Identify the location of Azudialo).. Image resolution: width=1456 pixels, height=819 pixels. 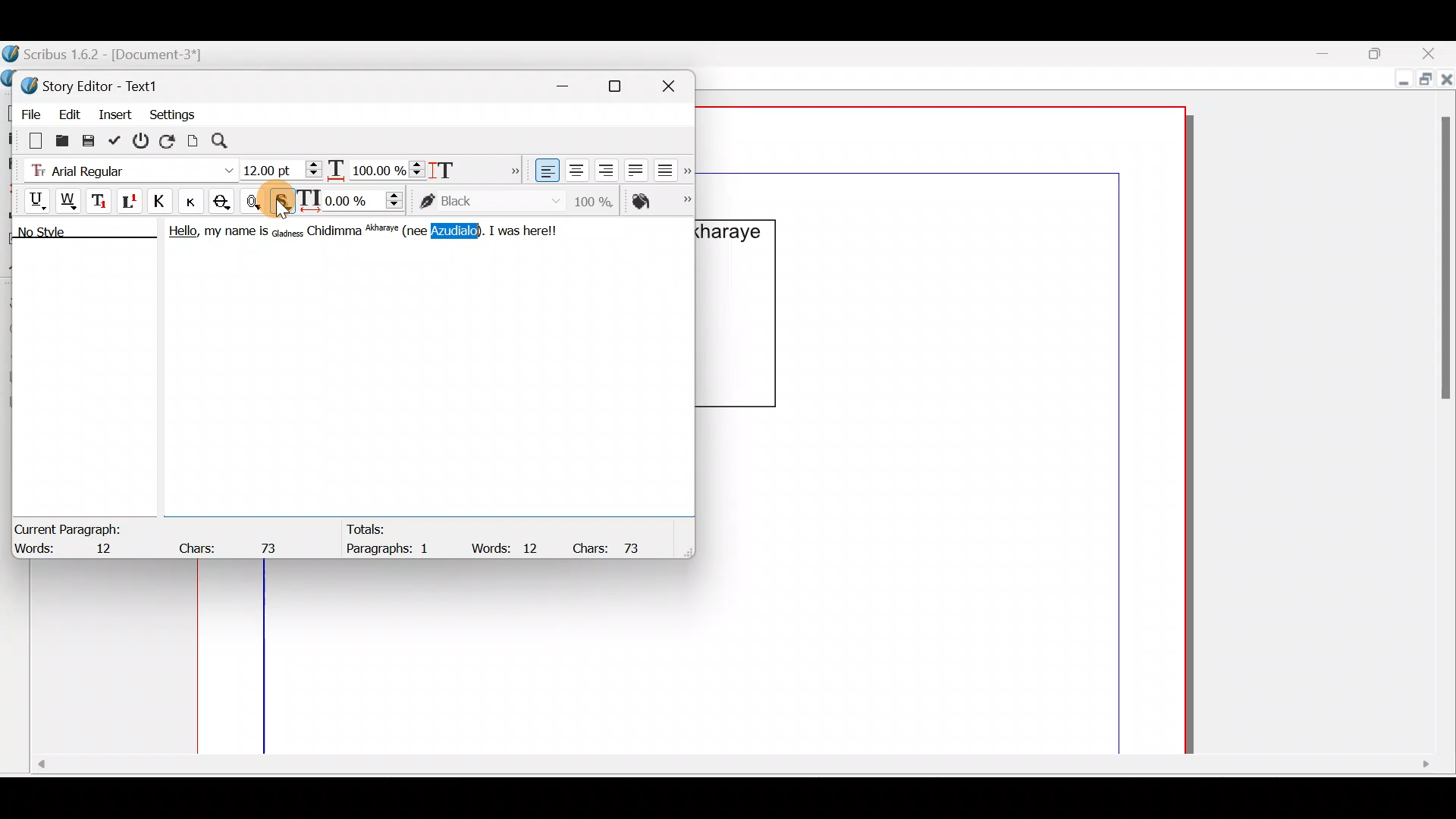
(460, 231).